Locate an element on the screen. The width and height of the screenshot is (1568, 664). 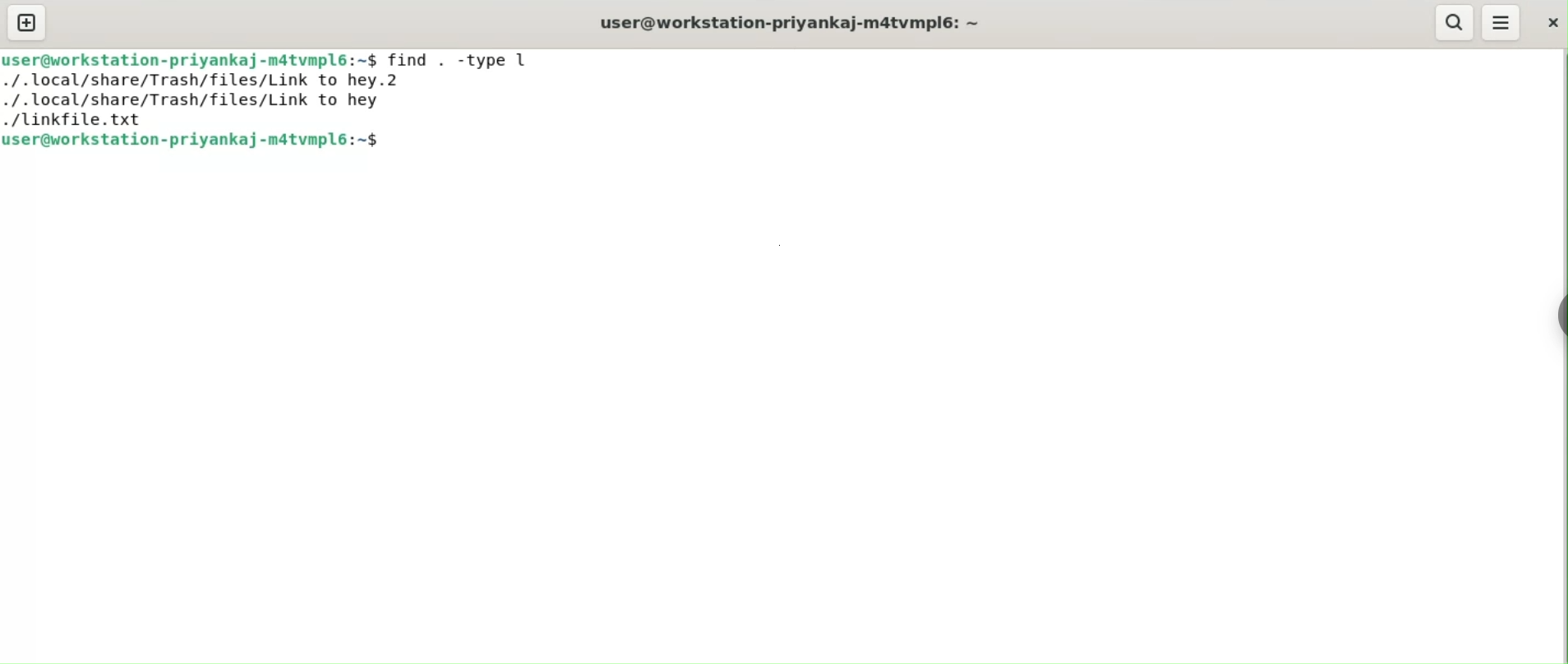
close is located at coordinates (1550, 21).